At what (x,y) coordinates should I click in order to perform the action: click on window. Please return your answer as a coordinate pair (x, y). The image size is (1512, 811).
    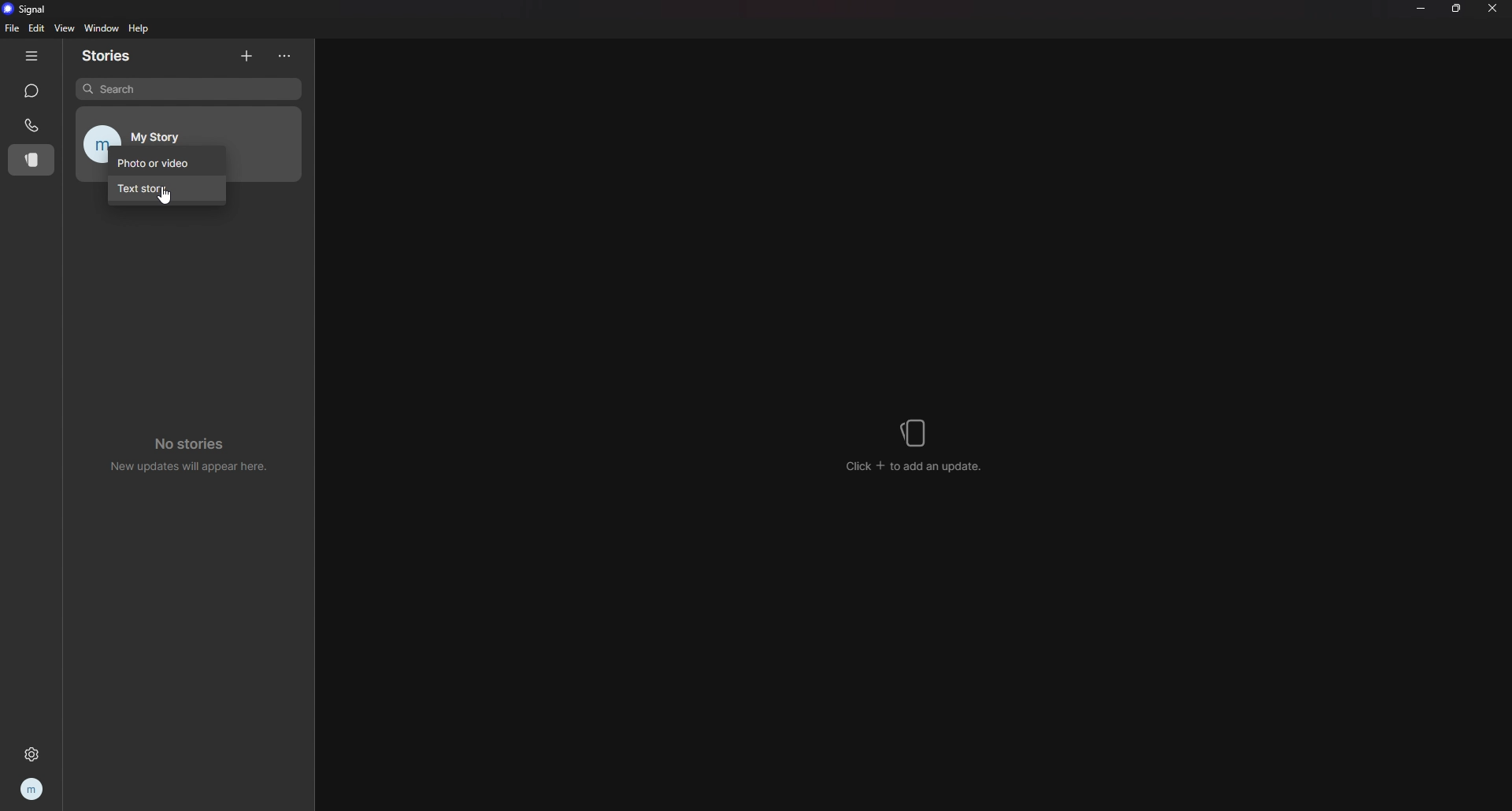
    Looking at the image, I should click on (101, 29).